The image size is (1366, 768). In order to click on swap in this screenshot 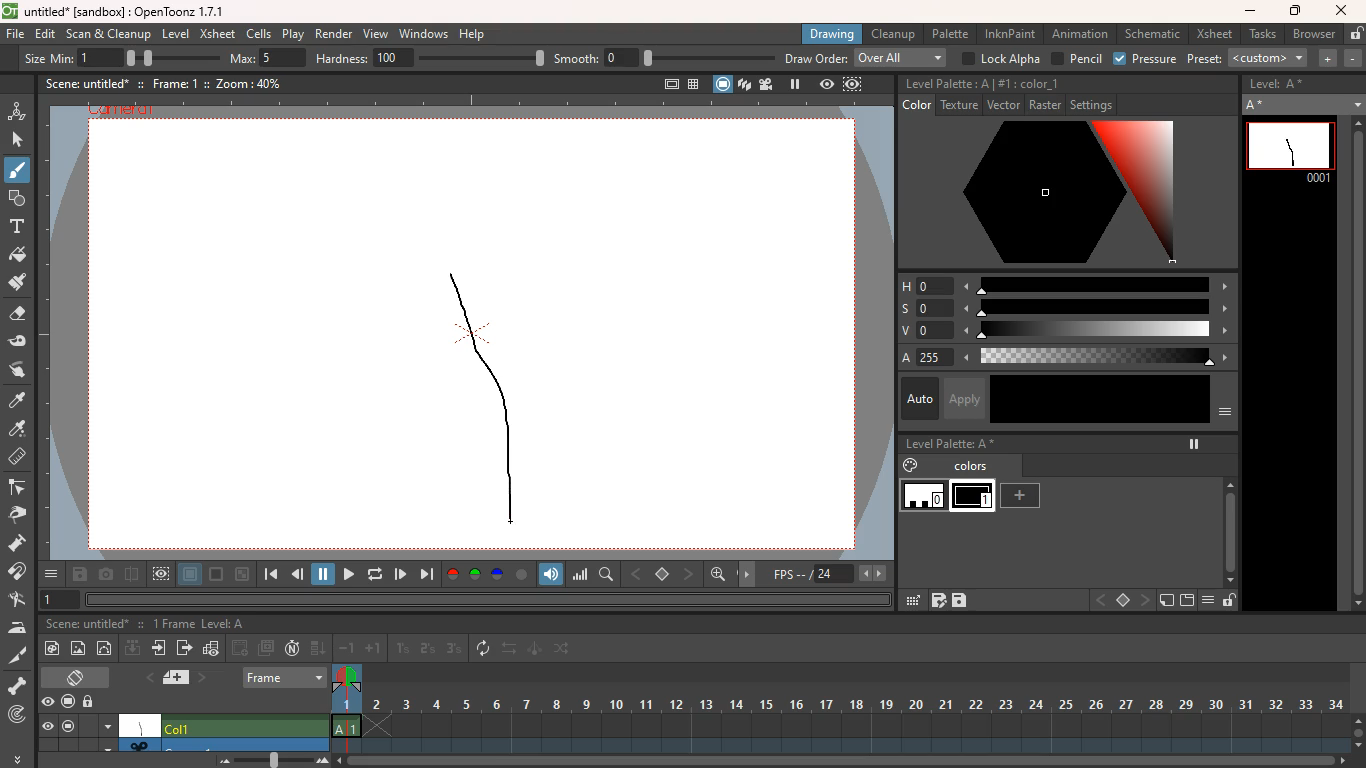, I will do `click(511, 650)`.